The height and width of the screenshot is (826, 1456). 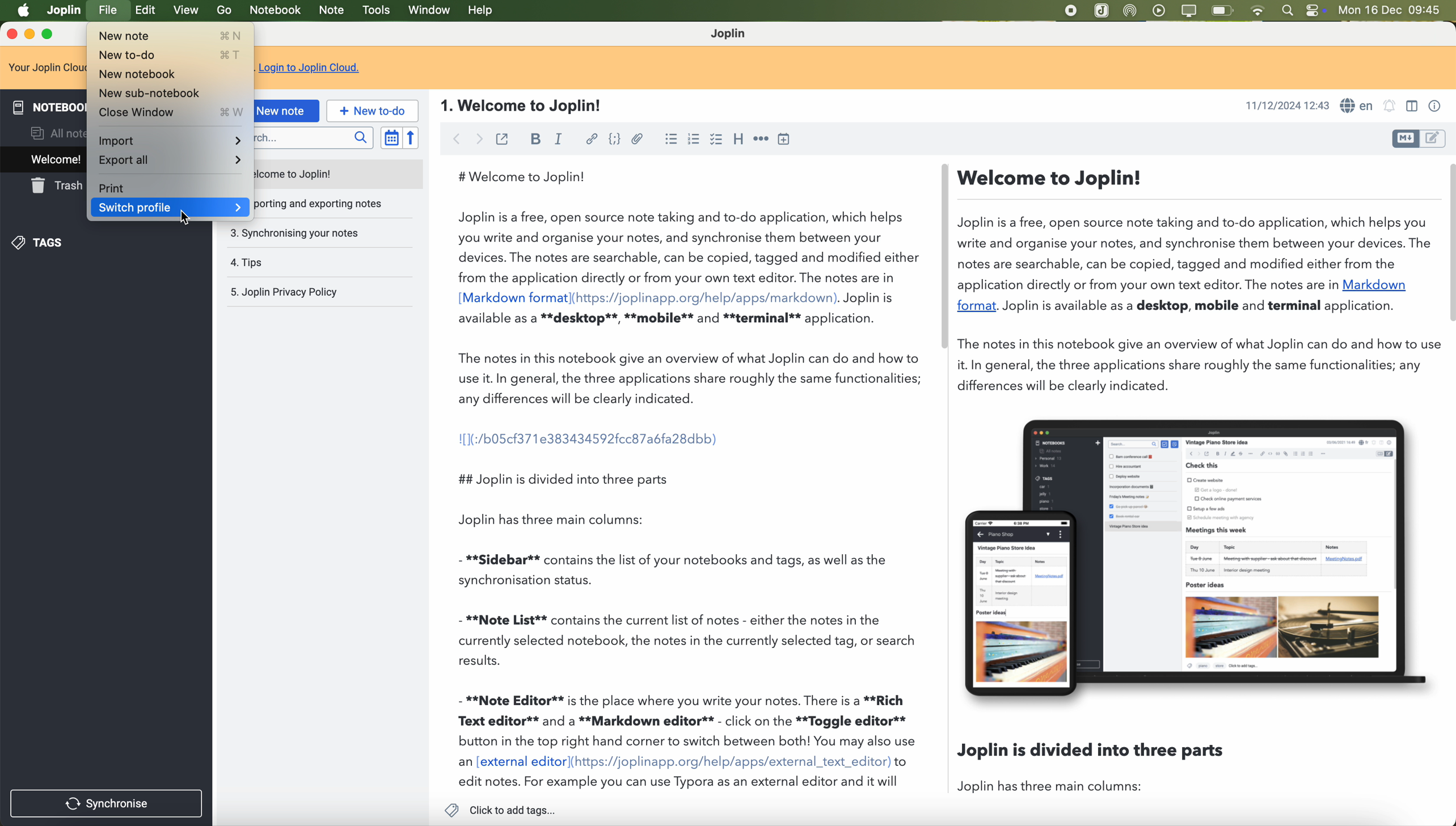 What do you see at coordinates (1436, 137) in the screenshot?
I see `toggle editors` at bounding box center [1436, 137].